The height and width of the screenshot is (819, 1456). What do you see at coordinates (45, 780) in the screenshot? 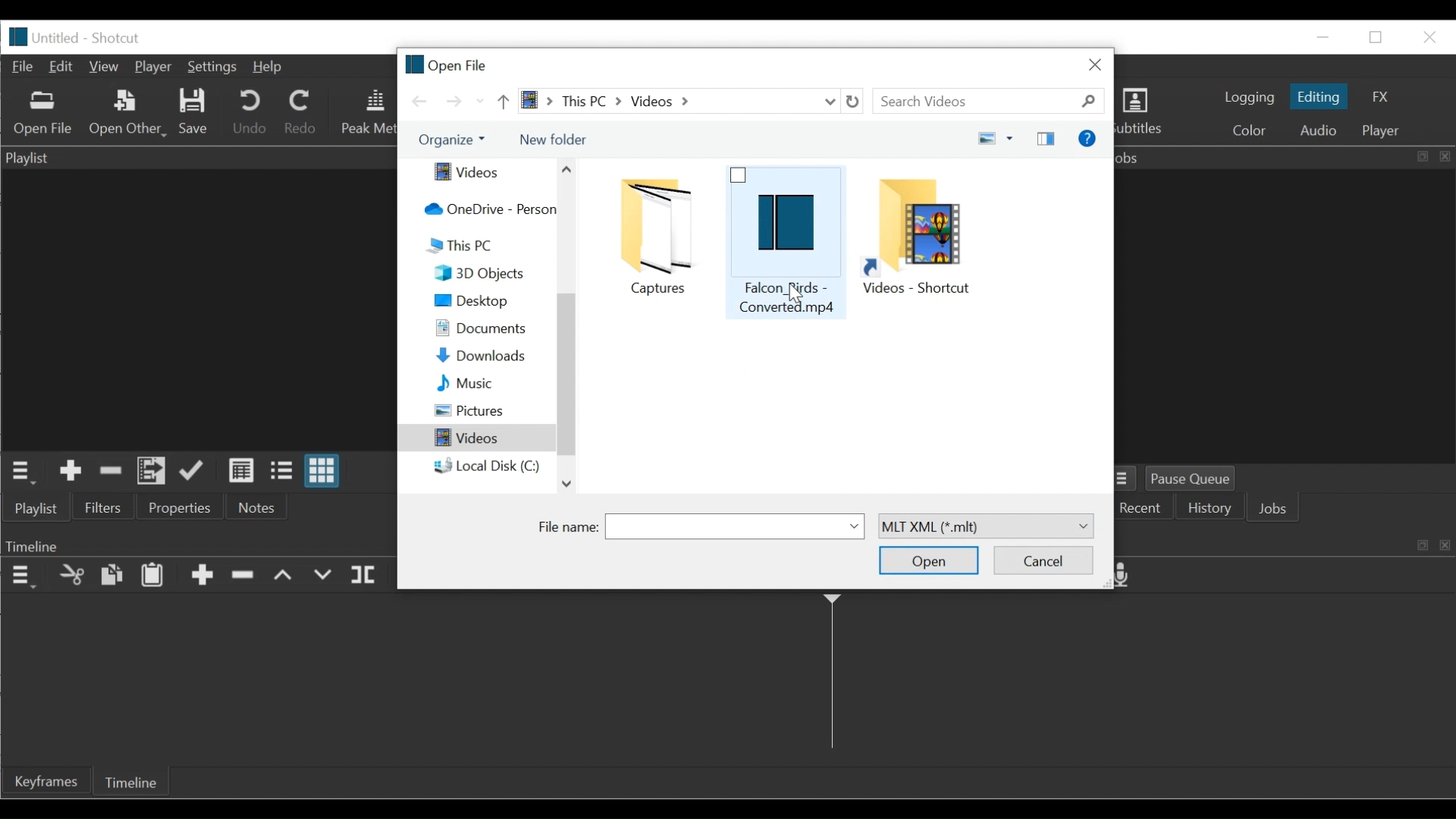
I see `Keyframe ` at bounding box center [45, 780].